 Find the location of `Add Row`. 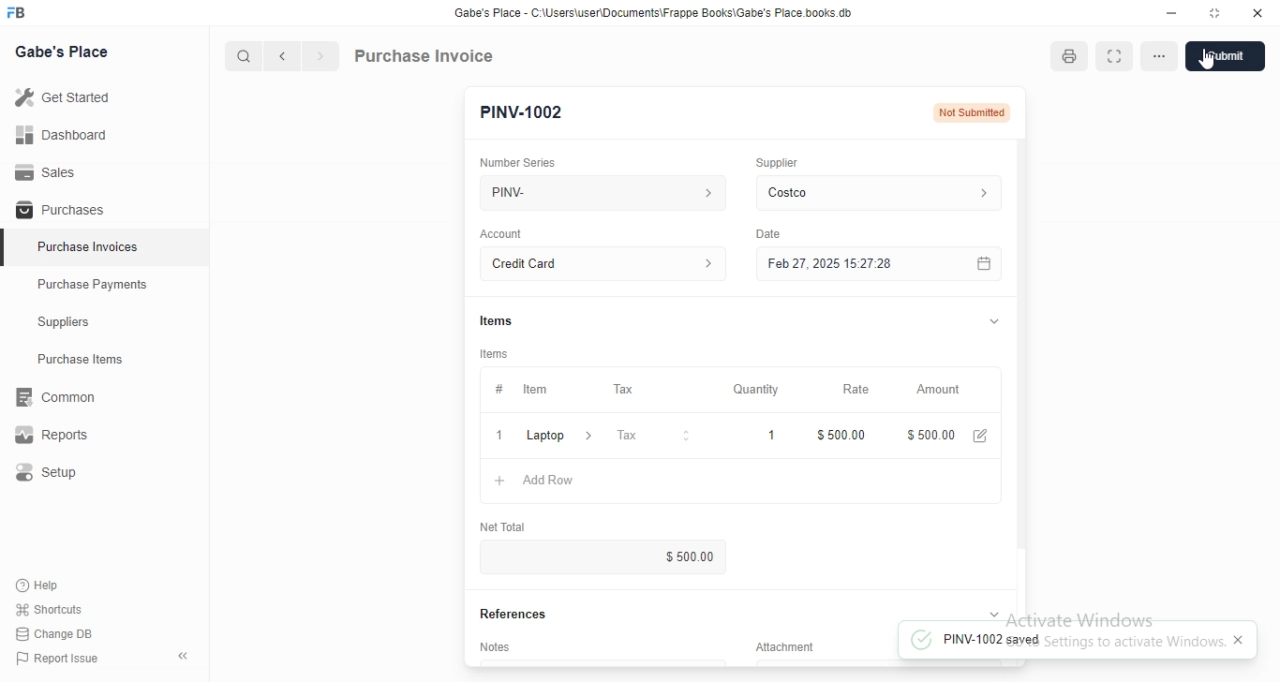

Add Row is located at coordinates (741, 481).